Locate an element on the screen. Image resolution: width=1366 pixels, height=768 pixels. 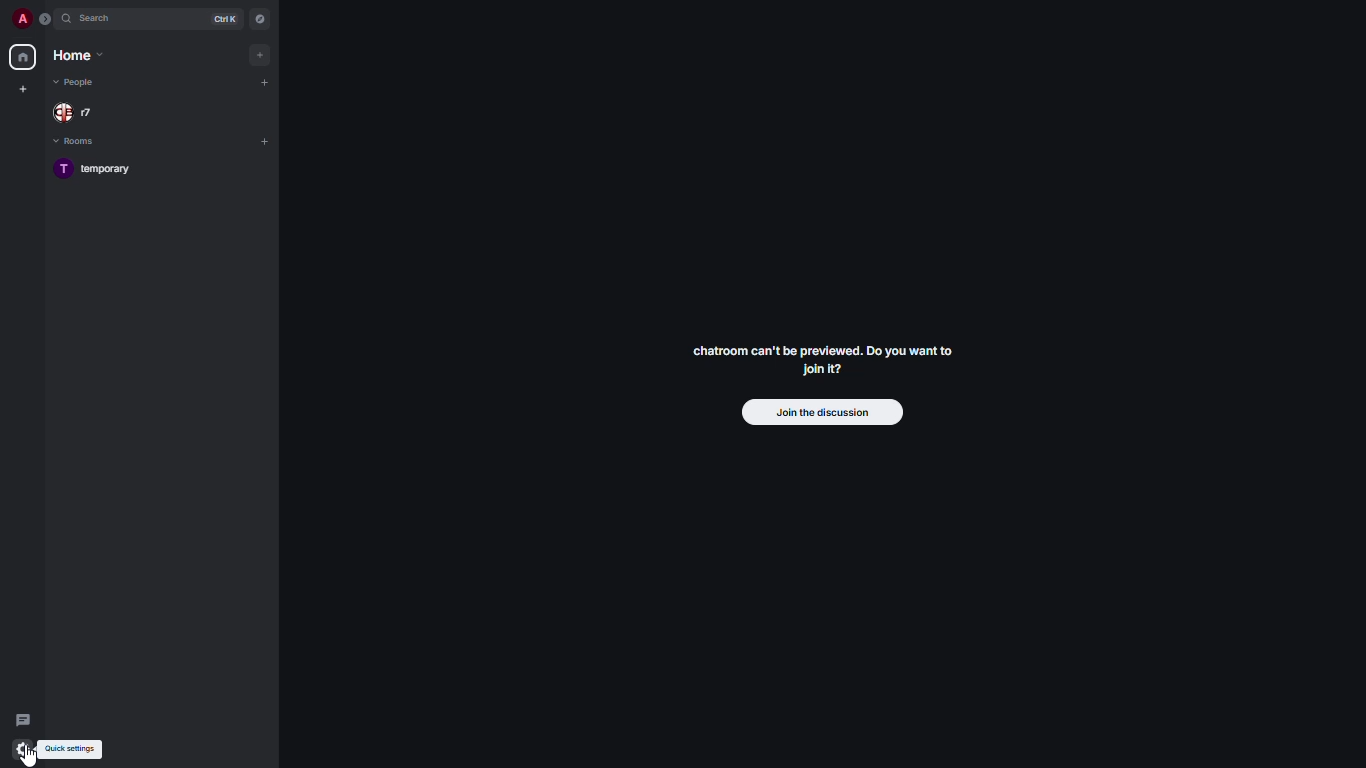
expand is located at coordinates (46, 19).